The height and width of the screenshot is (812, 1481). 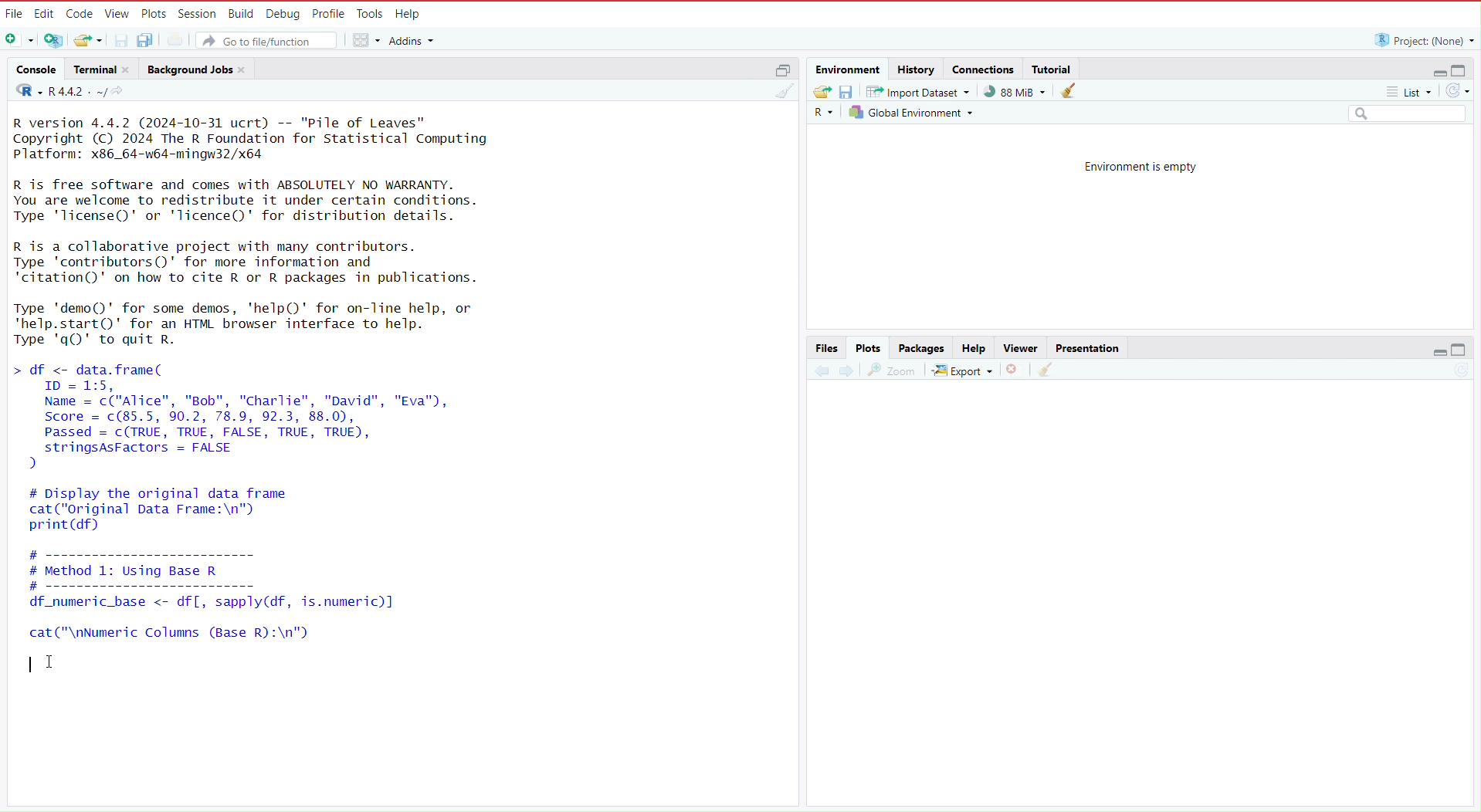 I want to click on df <- data.frame(
ID = 1:5,
Name = c("Alice", "Bob", "Charlie", "David", "Eva"),
Score = c(85.5, 90.2, 78.9, 92.3, 88.0),
Passed = c(TRUE, TRUE, FALSE, TRUE, TRUE),
stringsAsFactors = FALSE

), so click(x=252, y=416).